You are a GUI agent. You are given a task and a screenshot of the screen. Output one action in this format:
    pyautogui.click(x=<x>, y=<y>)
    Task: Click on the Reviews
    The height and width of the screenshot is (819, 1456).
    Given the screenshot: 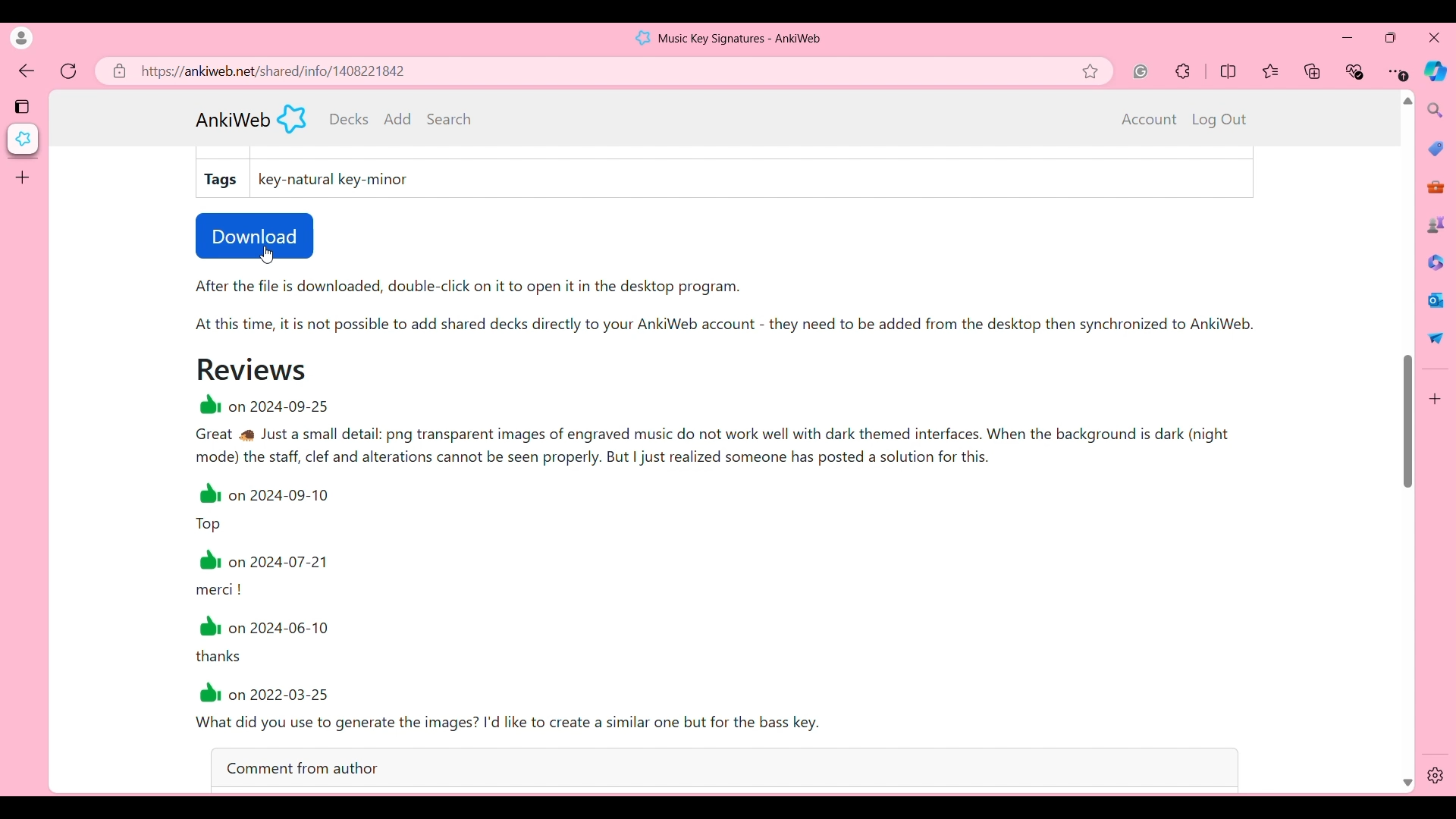 What is the action you would take?
    pyautogui.click(x=252, y=369)
    